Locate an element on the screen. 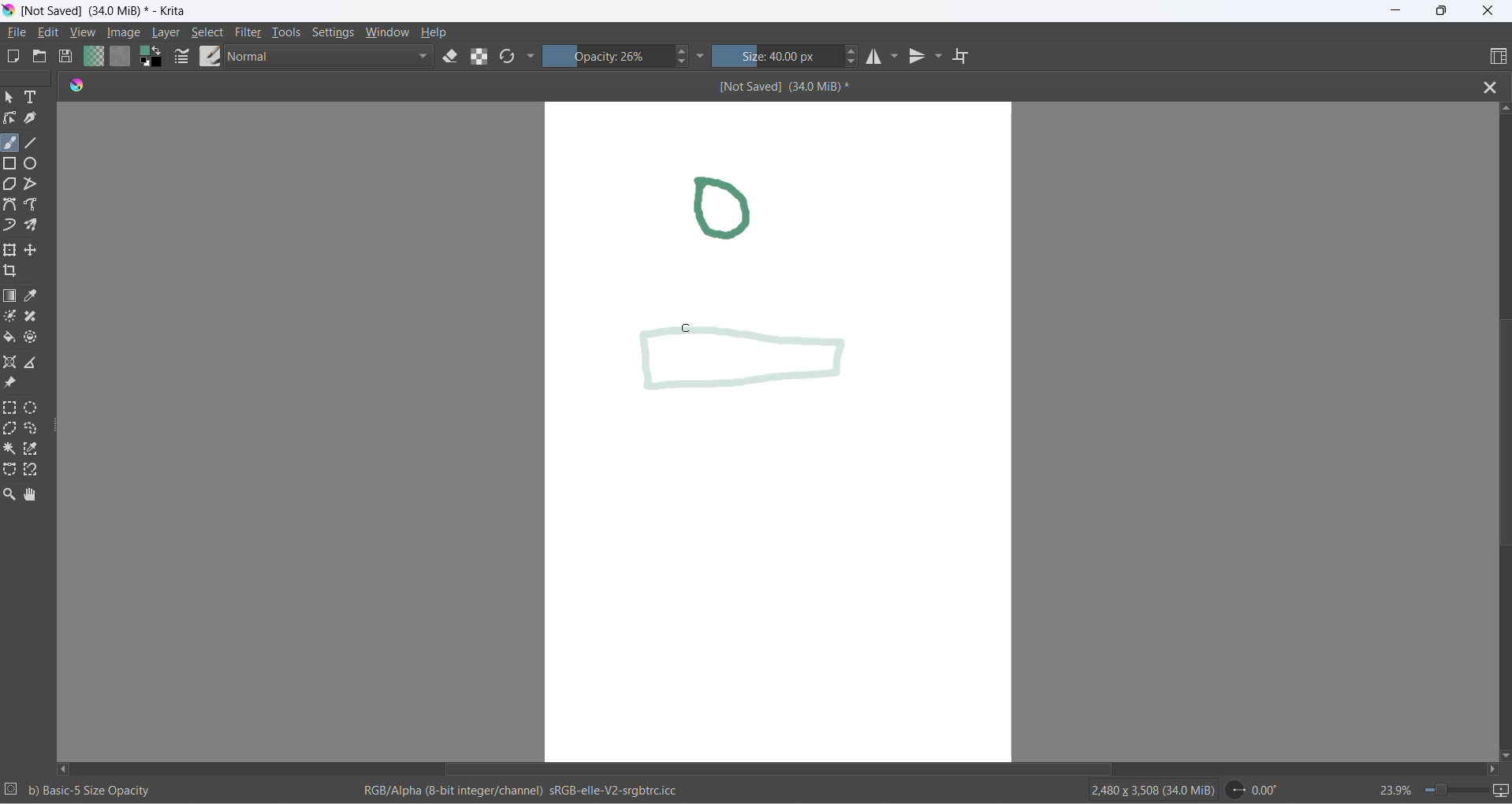 This screenshot has width=1512, height=804. increase opacity button is located at coordinates (683, 50).